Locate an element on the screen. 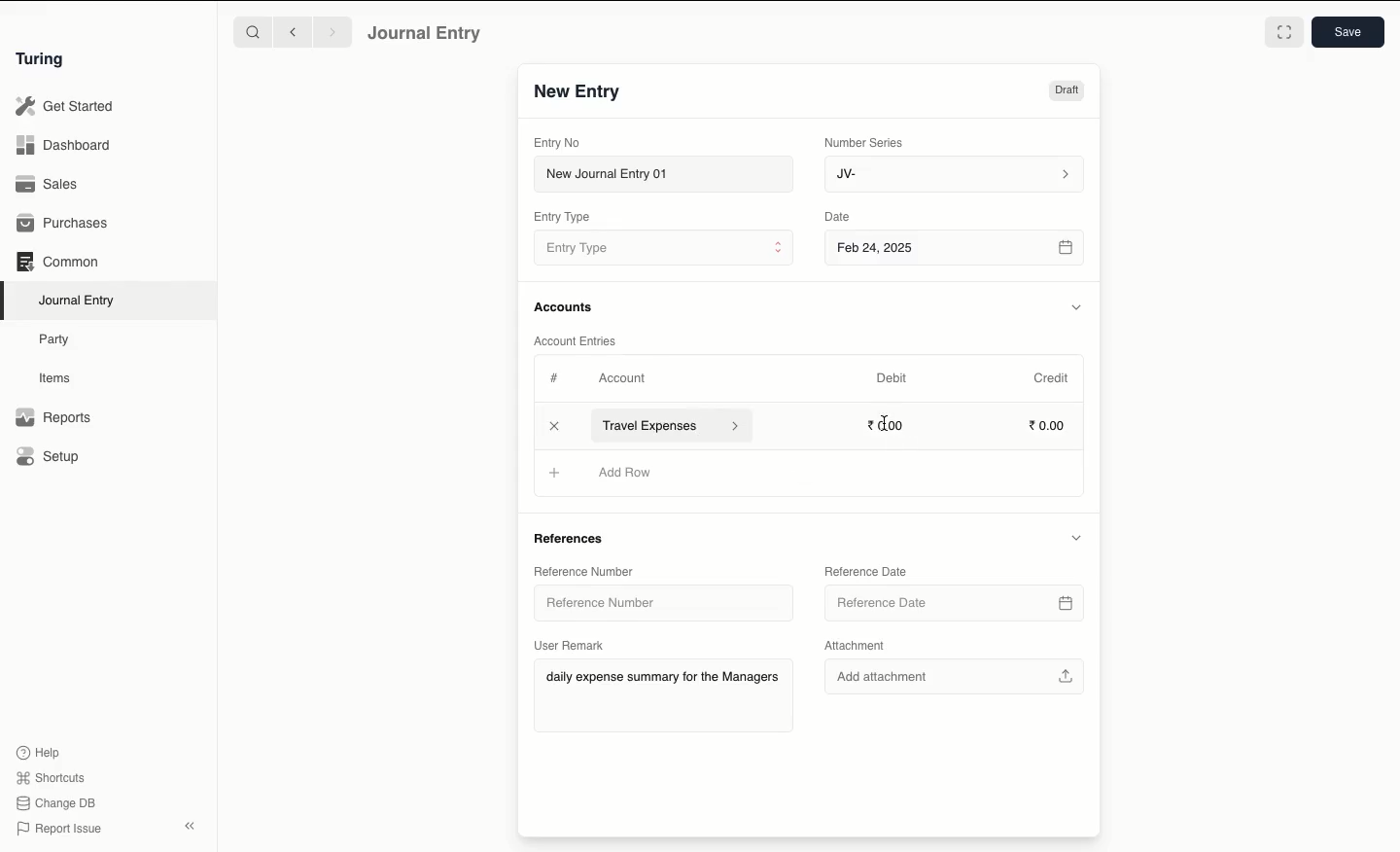 This screenshot has height=852, width=1400. Dashboard is located at coordinates (63, 146).